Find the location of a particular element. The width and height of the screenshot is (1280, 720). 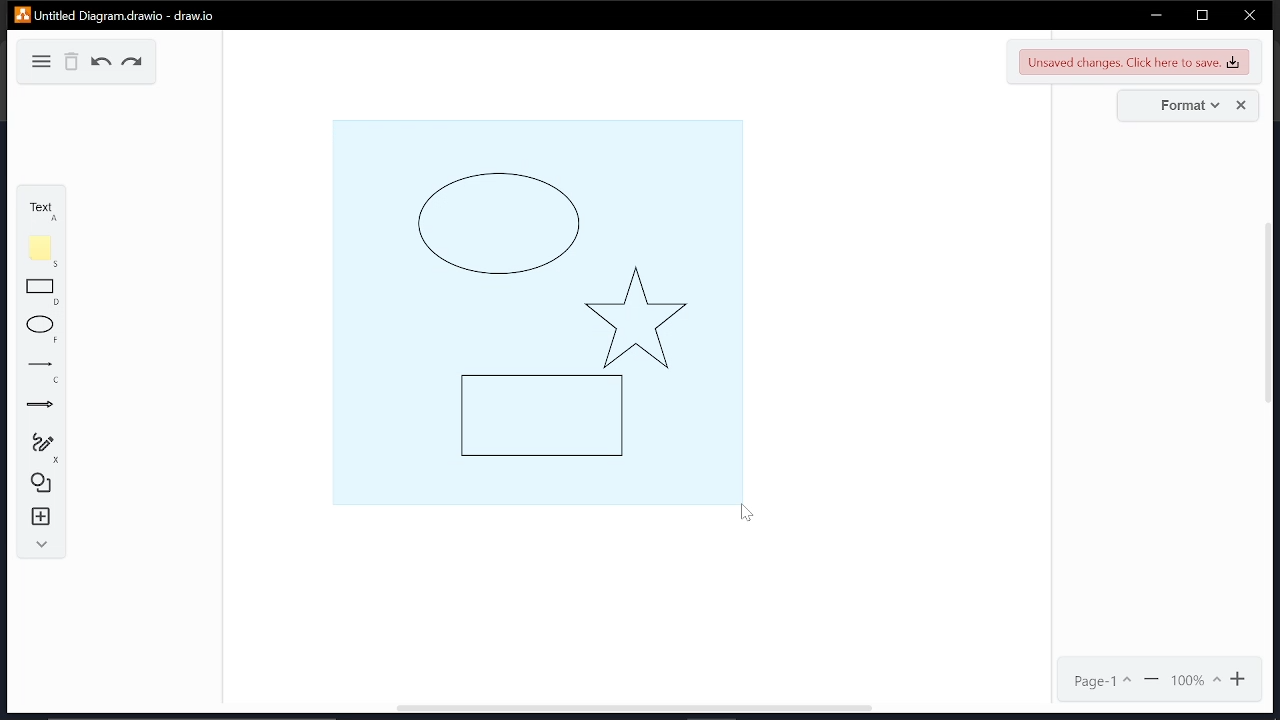

selected diagrams is located at coordinates (534, 309).